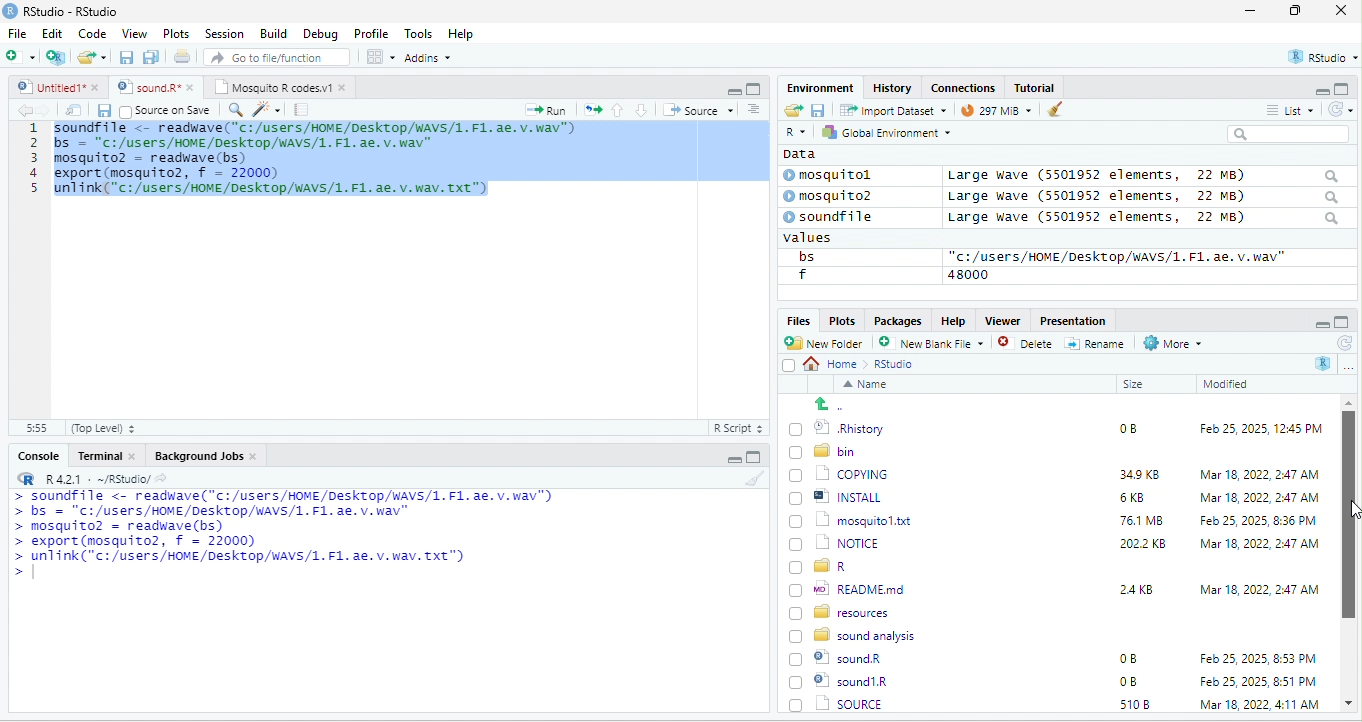  Describe the element at coordinates (820, 87) in the screenshot. I see `Environment` at that location.